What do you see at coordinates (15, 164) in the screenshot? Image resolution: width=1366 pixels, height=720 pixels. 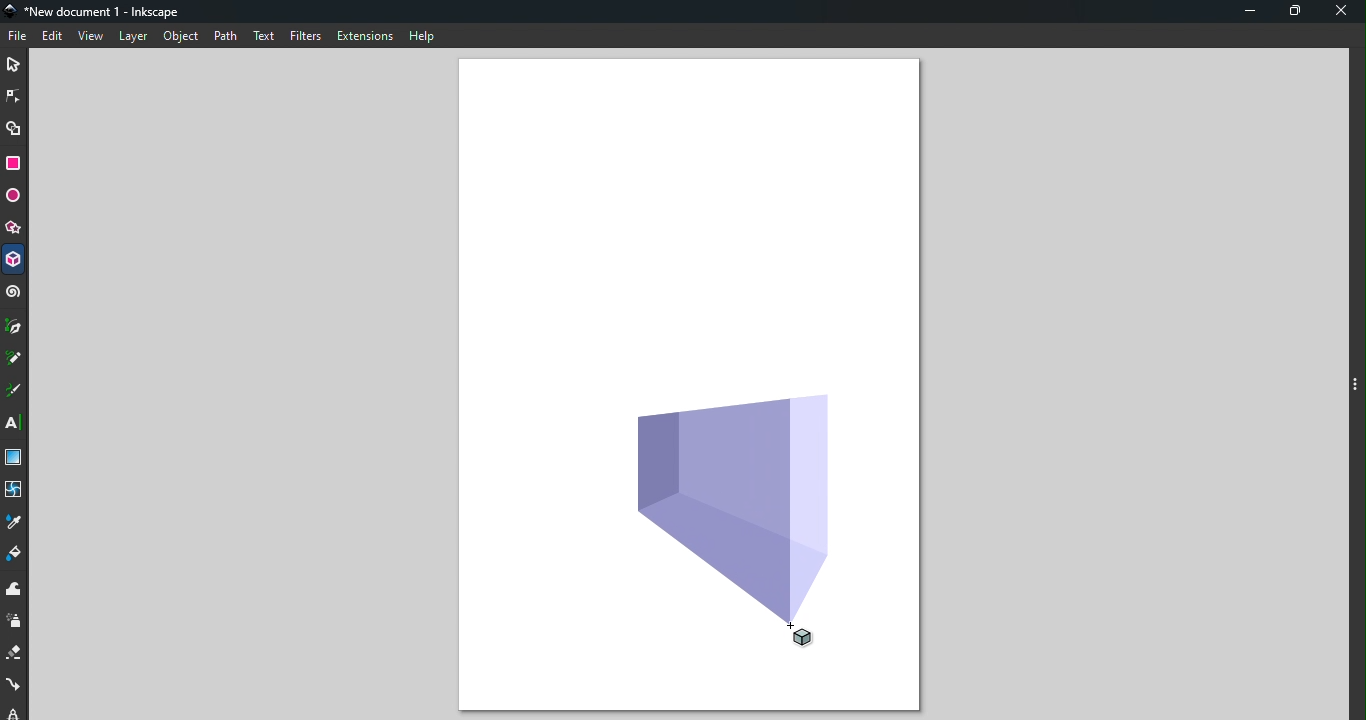 I see `Rectangle tool` at bounding box center [15, 164].